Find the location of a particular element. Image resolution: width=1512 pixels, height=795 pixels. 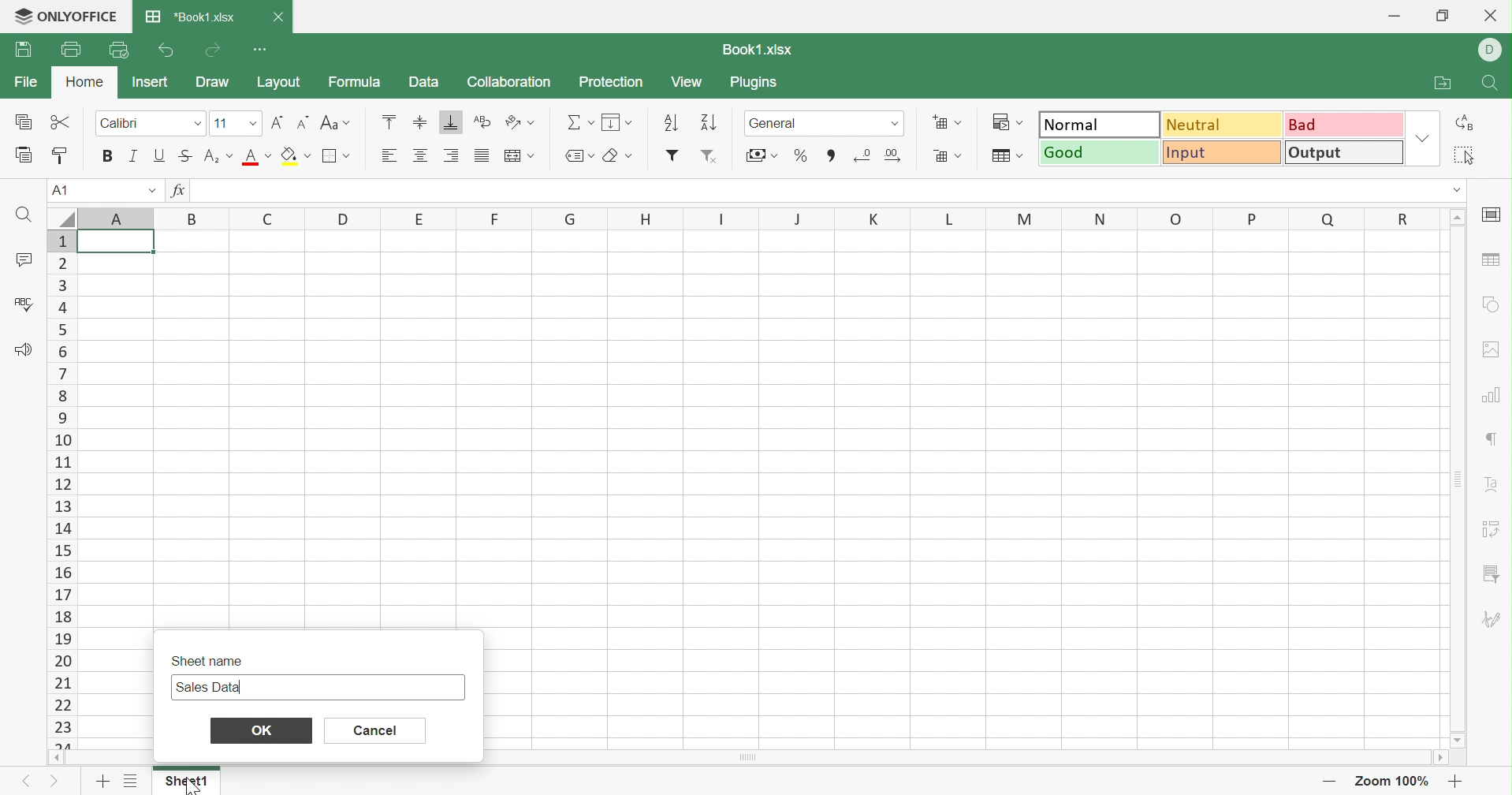

Replace is located at coordinates (1468, 125).